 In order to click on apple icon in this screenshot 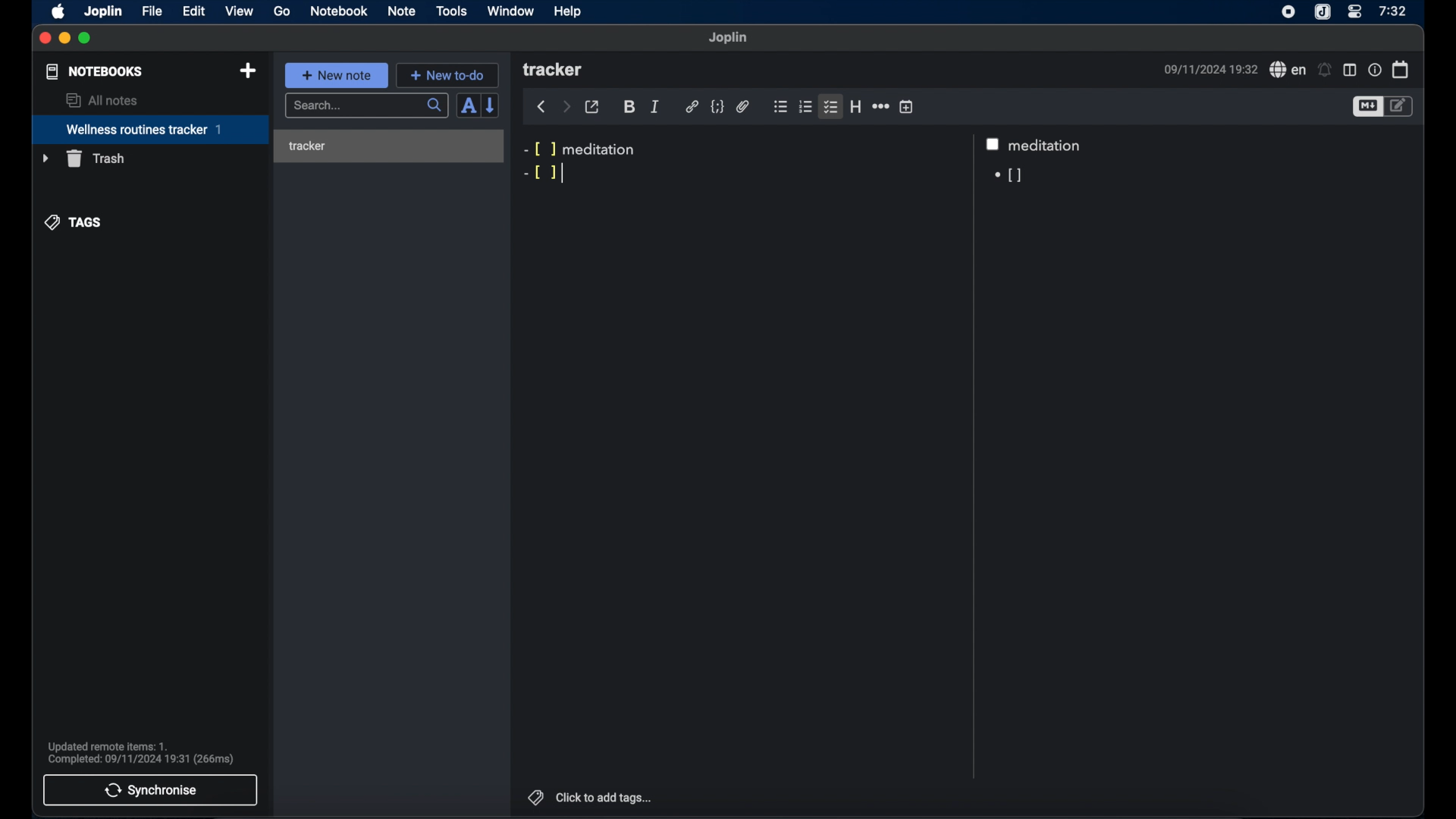, I will do `click(59, 12)`.